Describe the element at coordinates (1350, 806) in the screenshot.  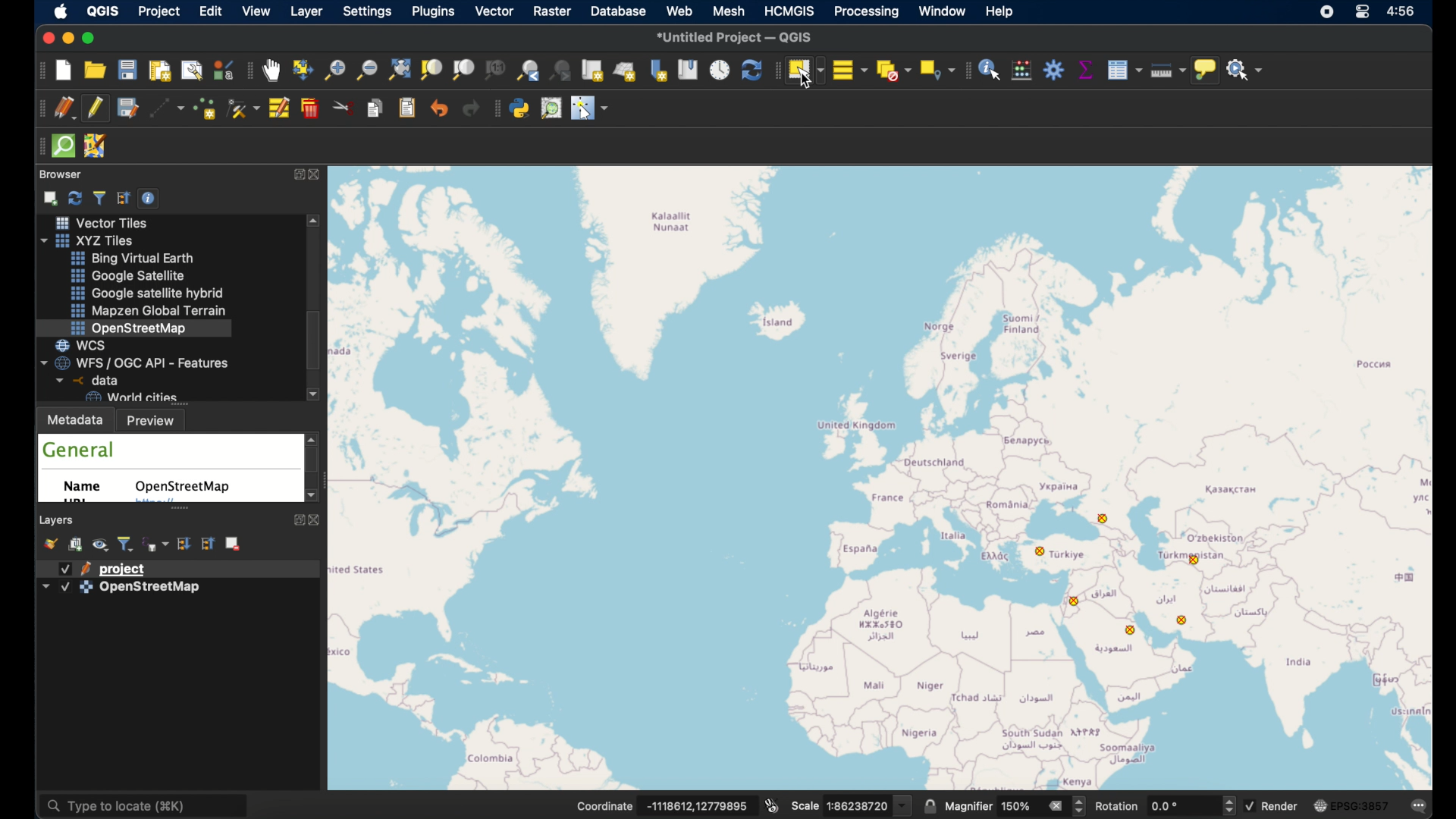
I see `current csr` at that location.